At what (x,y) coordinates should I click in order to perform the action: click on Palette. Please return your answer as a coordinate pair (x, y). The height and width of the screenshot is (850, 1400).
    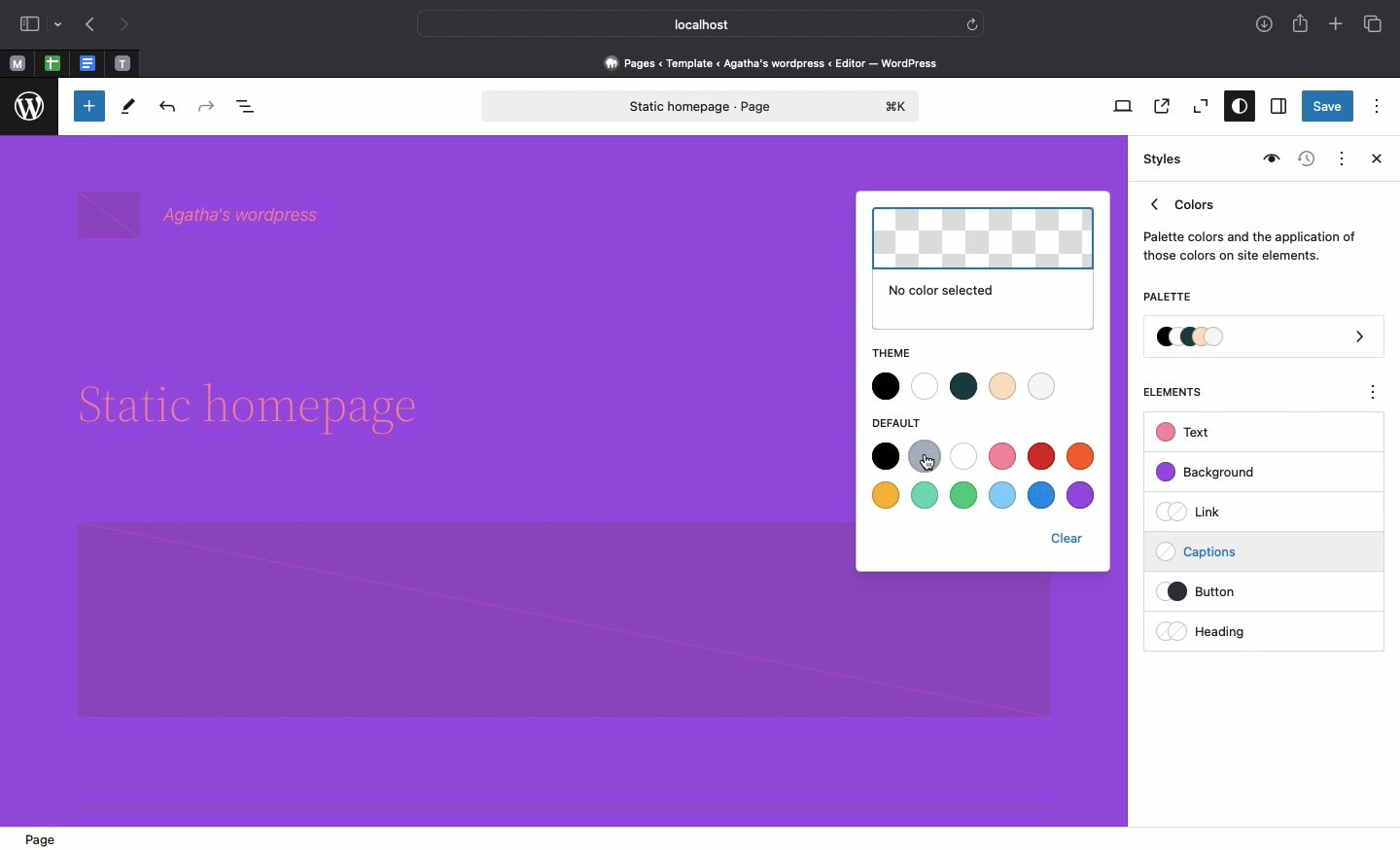
    Looking at the image, I should click on (1167, 299).